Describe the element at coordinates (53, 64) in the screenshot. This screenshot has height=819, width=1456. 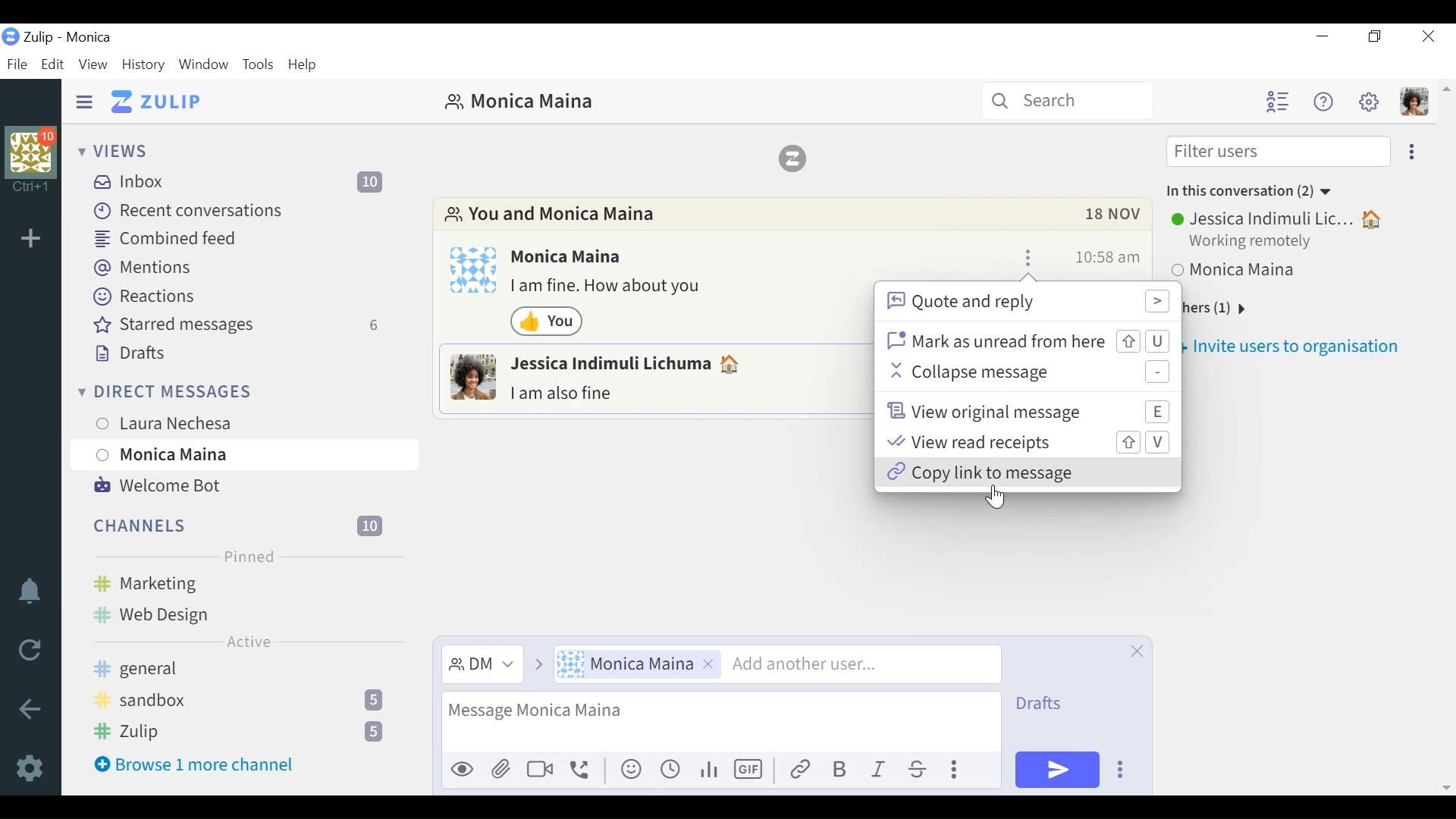
I see `Edit` at that location.